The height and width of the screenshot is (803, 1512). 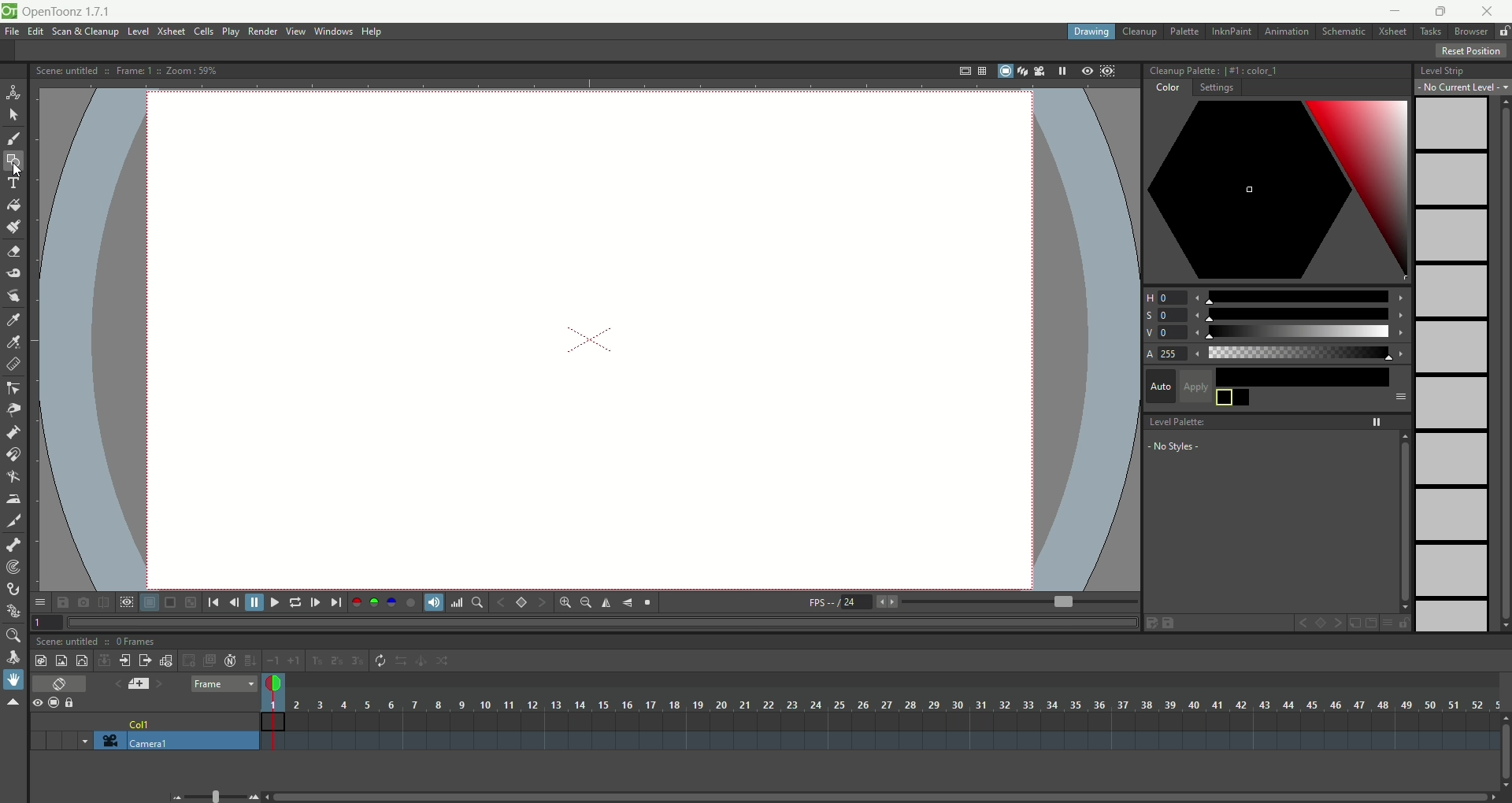 I want to click on maximize, so click(x=1441, y=13).